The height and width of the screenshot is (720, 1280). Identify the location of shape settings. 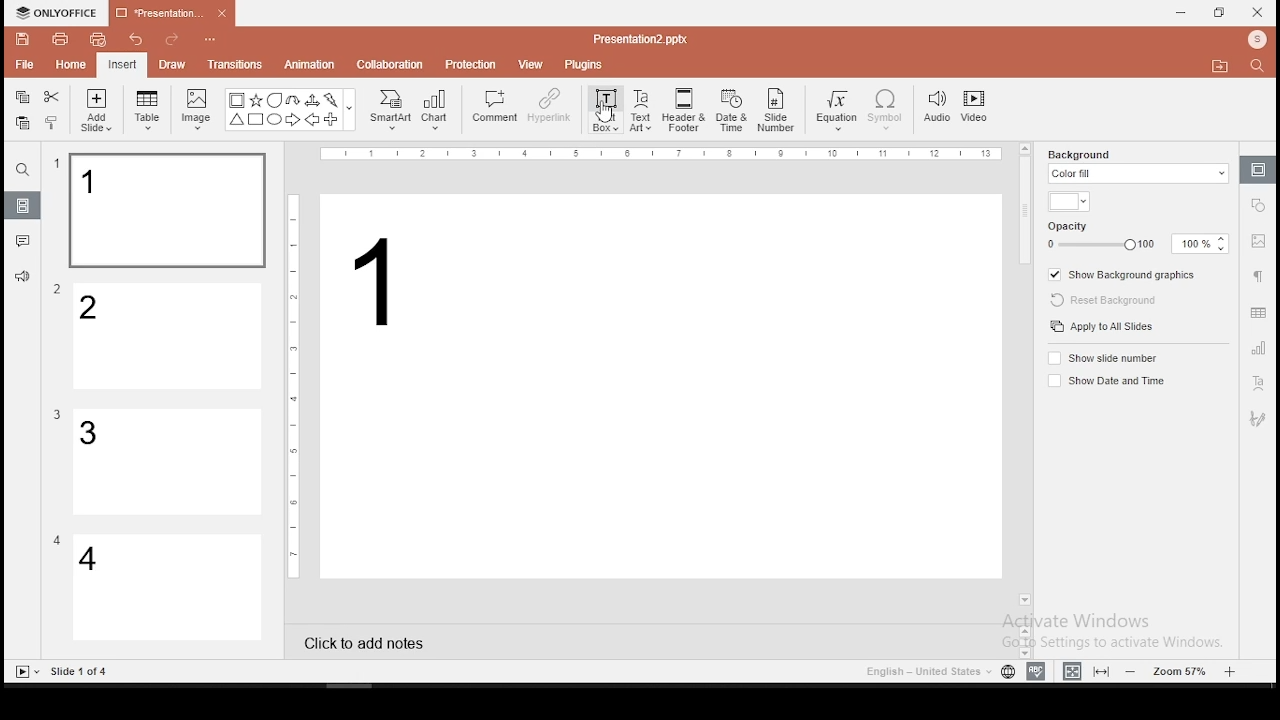
(1259, 203).